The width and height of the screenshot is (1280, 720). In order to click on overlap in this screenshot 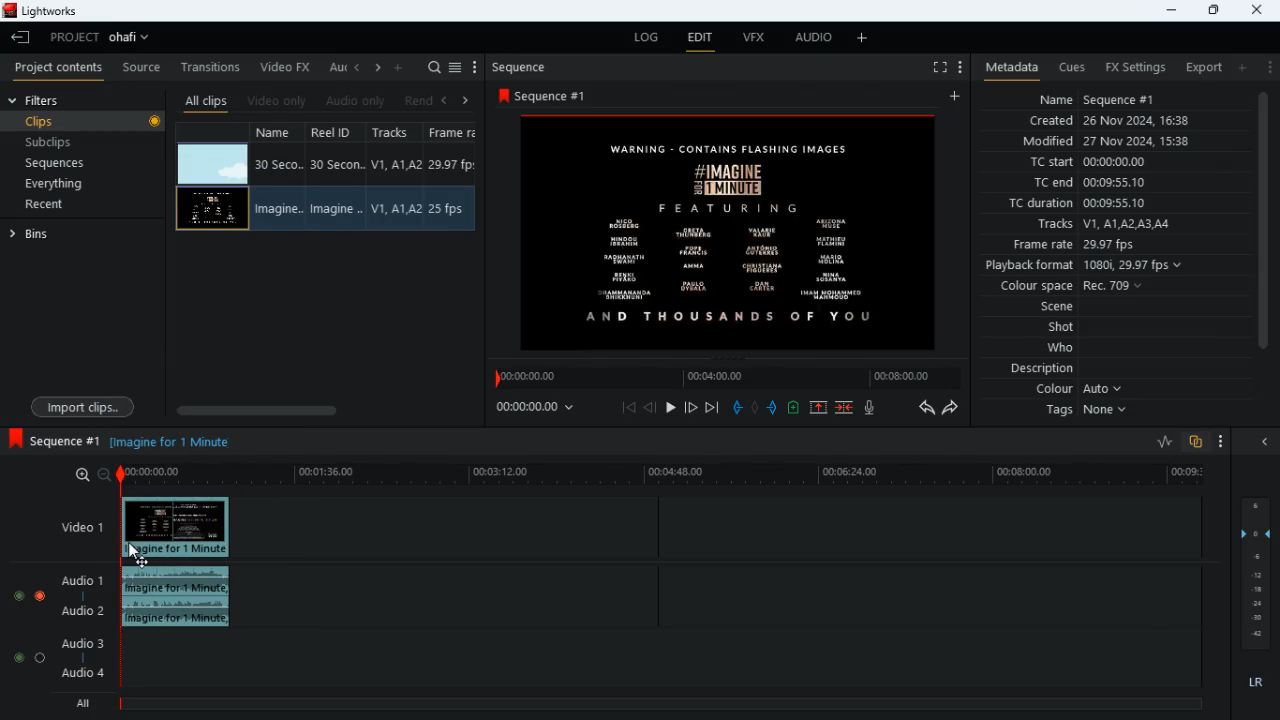, I will do `click(1195, 441)`.